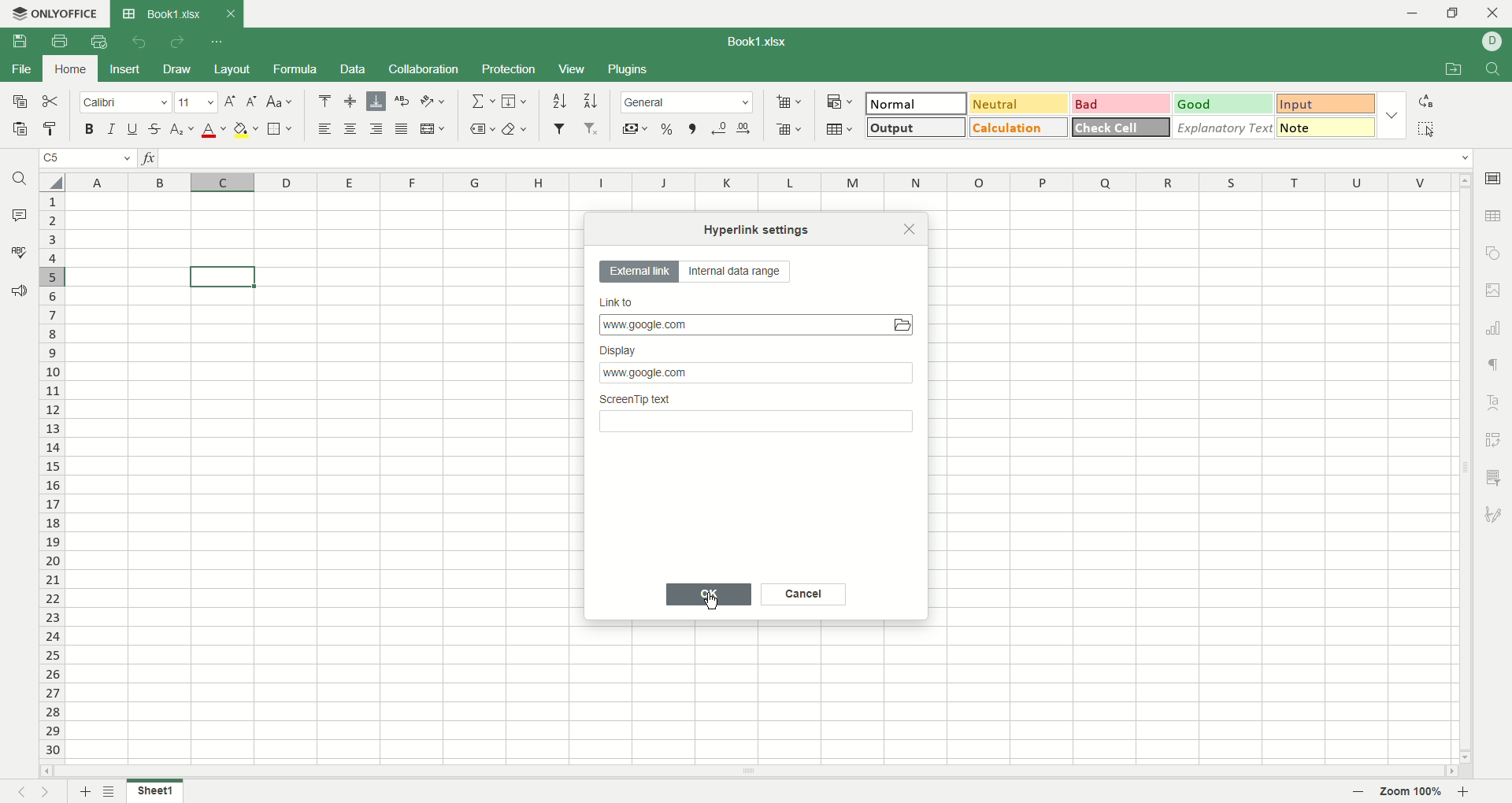 This screenshot has width=1512, height=803. Describe the element at coordinates (17, 252) in the screenshot. I see `spell check` at that location.